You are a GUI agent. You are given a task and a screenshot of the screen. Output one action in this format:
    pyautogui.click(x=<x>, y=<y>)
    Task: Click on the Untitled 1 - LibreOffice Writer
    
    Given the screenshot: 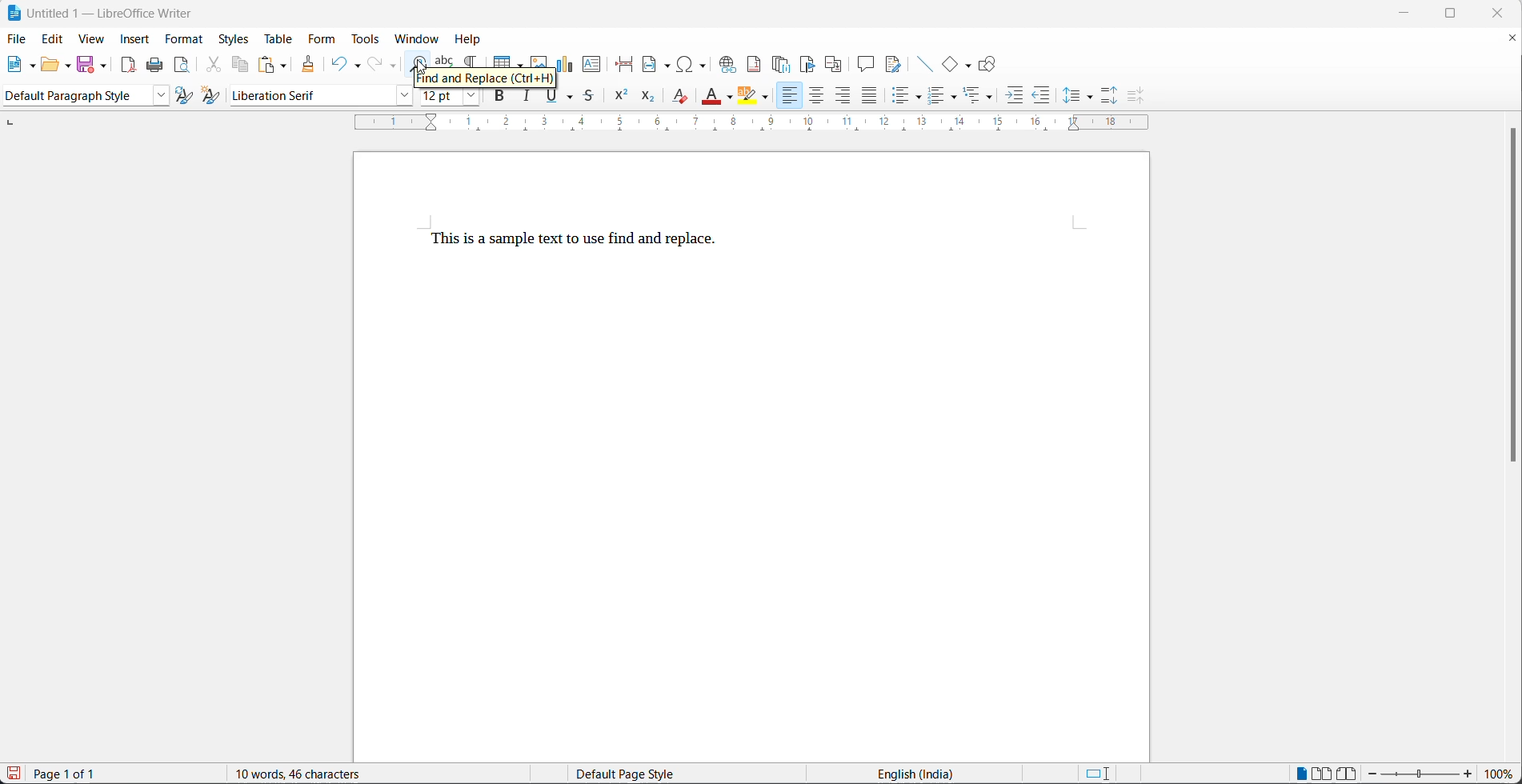 What is the action you would take?
    pyautogui.click(x=101, y=11)
    